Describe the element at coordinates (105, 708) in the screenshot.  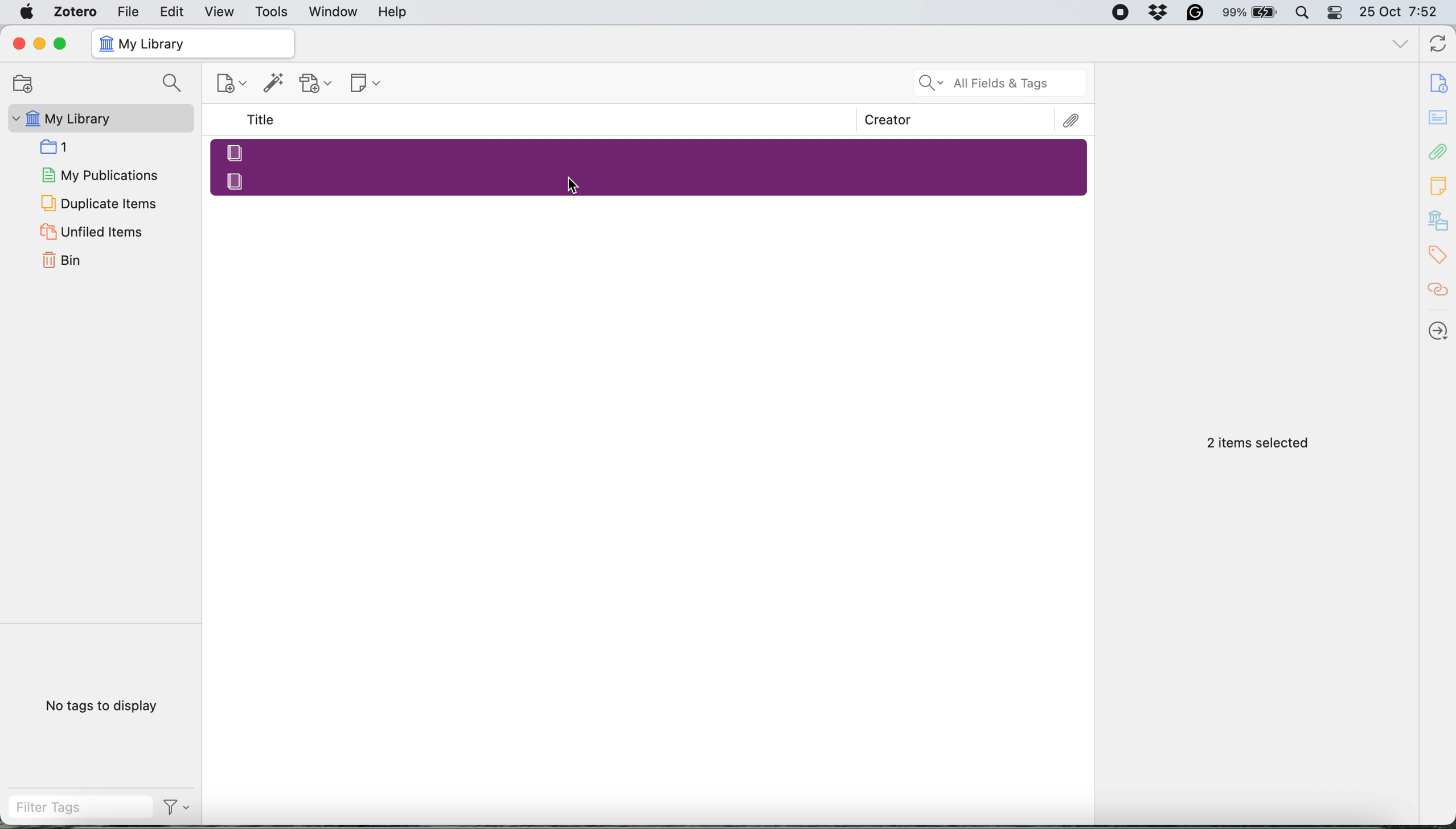
I see `No tags to display` at that location.